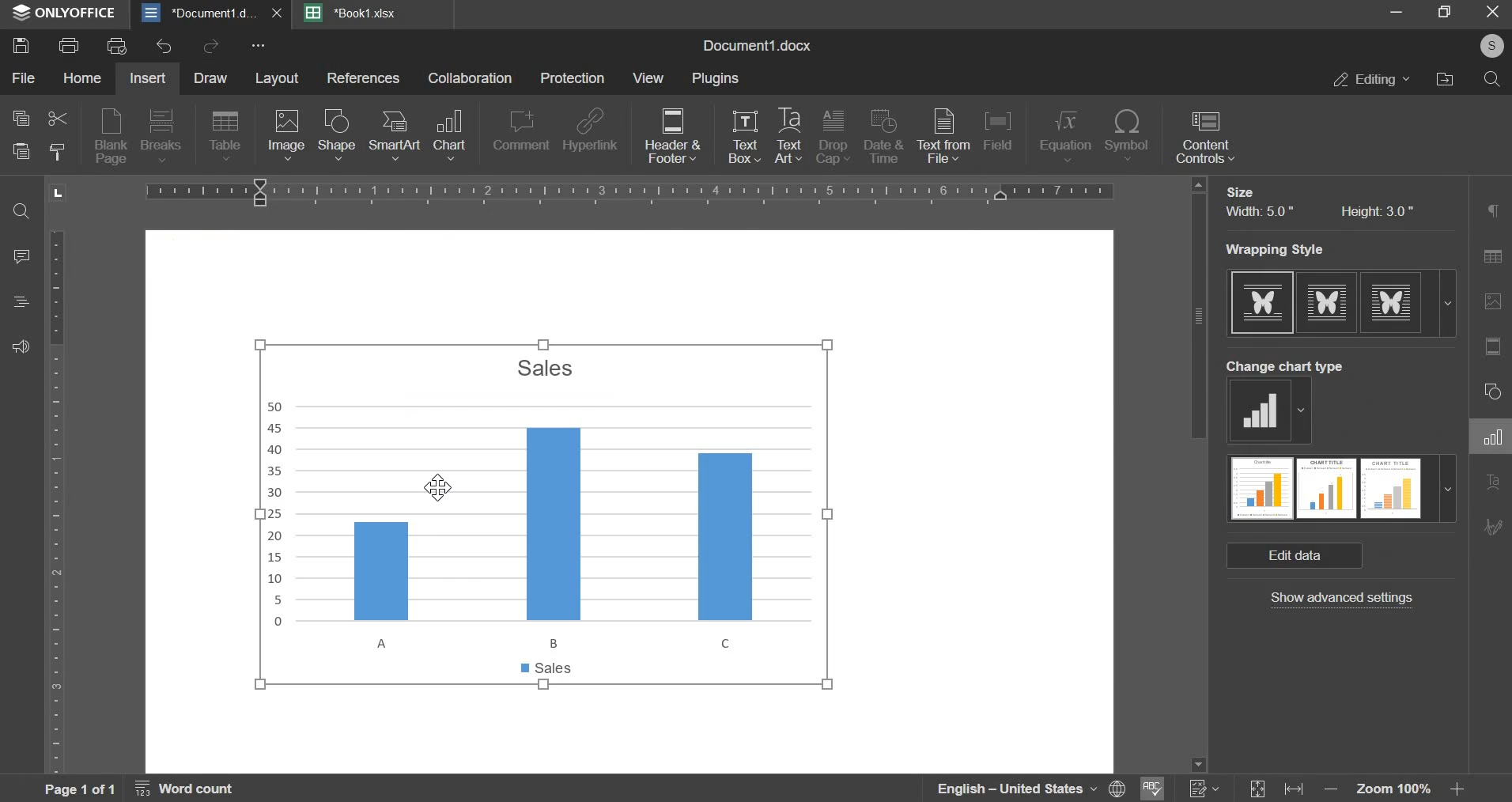  I want to click on more options, so click(259, 47).